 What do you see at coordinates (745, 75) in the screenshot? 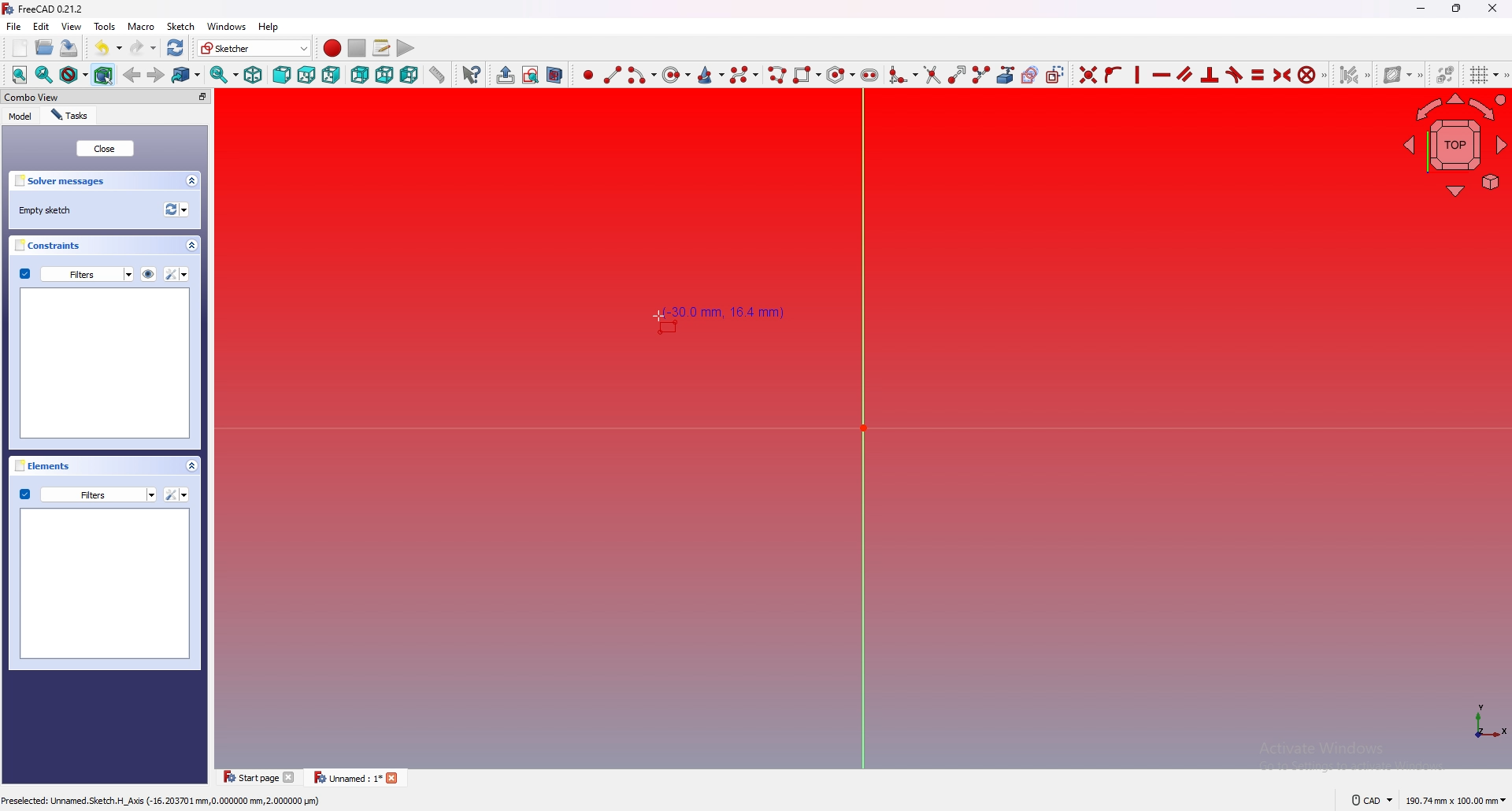
I see `create b spline` at bounding box center [745, 75].